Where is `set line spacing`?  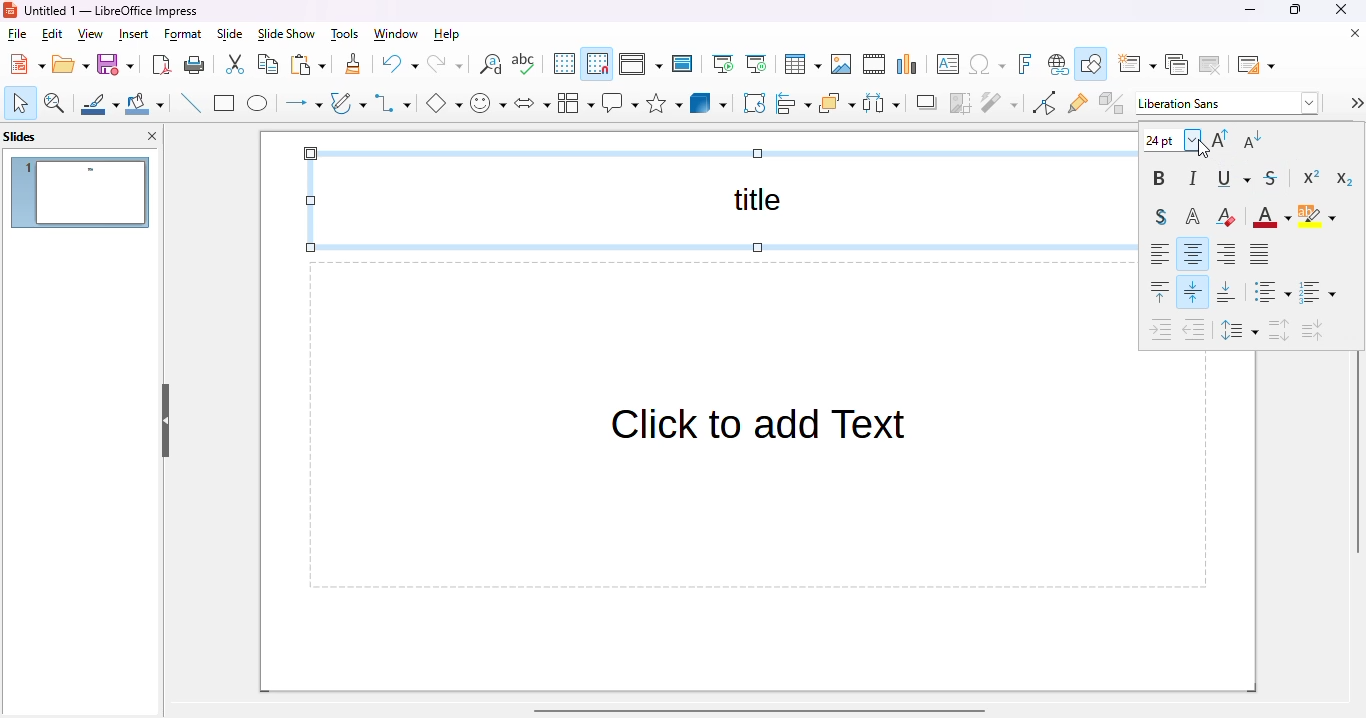
set line spacing is located at coordinates (1239, 331).